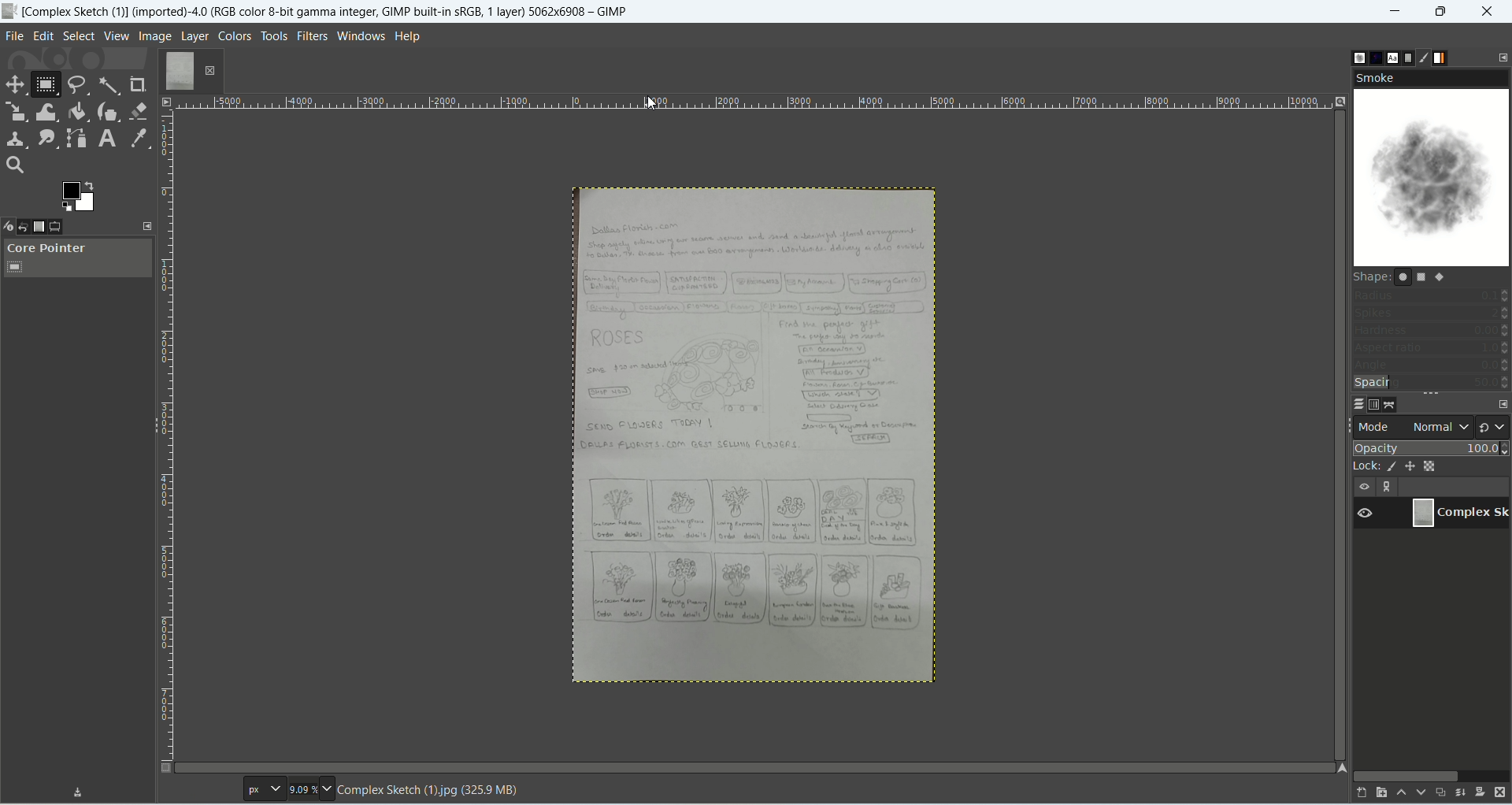 Image resolution: width=1512 pixels, height=805 pixels. What do you see at coordinates (235, 35) in the screenshot?
I see `colors` at bounding box center [235, 35].